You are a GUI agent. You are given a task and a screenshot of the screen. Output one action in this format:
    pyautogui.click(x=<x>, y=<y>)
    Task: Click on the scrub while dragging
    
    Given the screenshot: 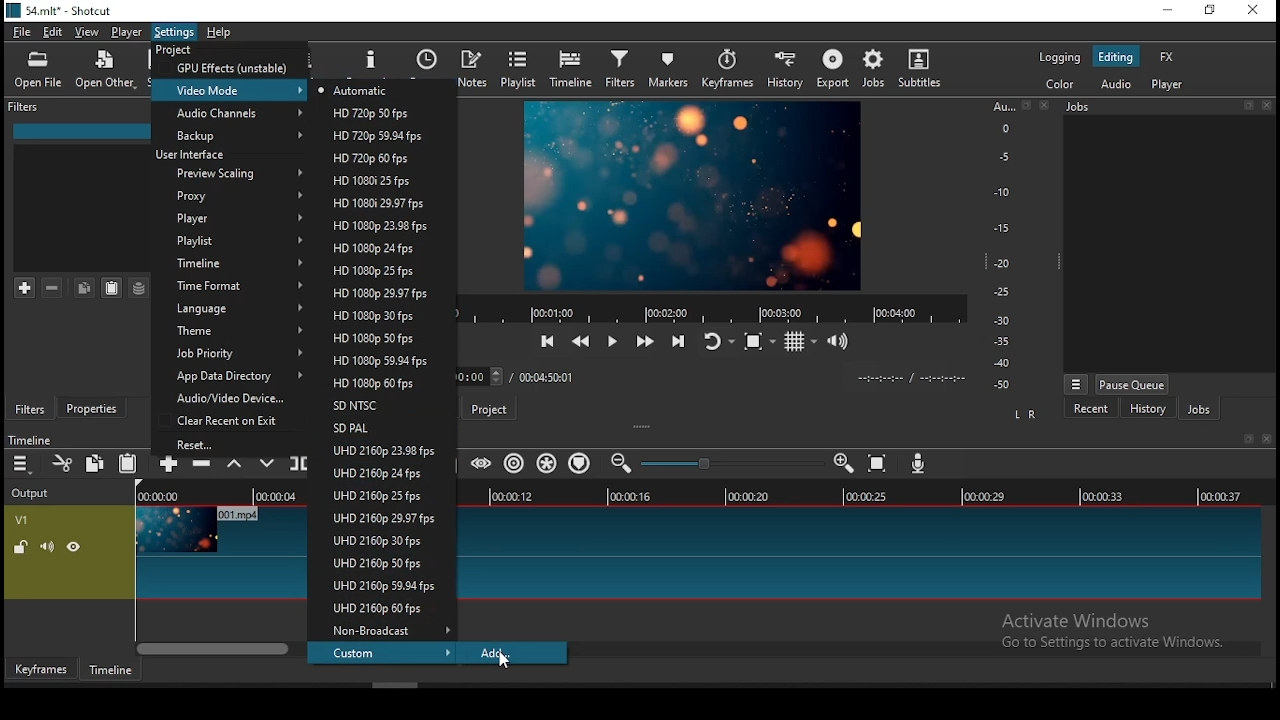 What is the action you would take?
    pyautogui.click(x=483, y=464)
    